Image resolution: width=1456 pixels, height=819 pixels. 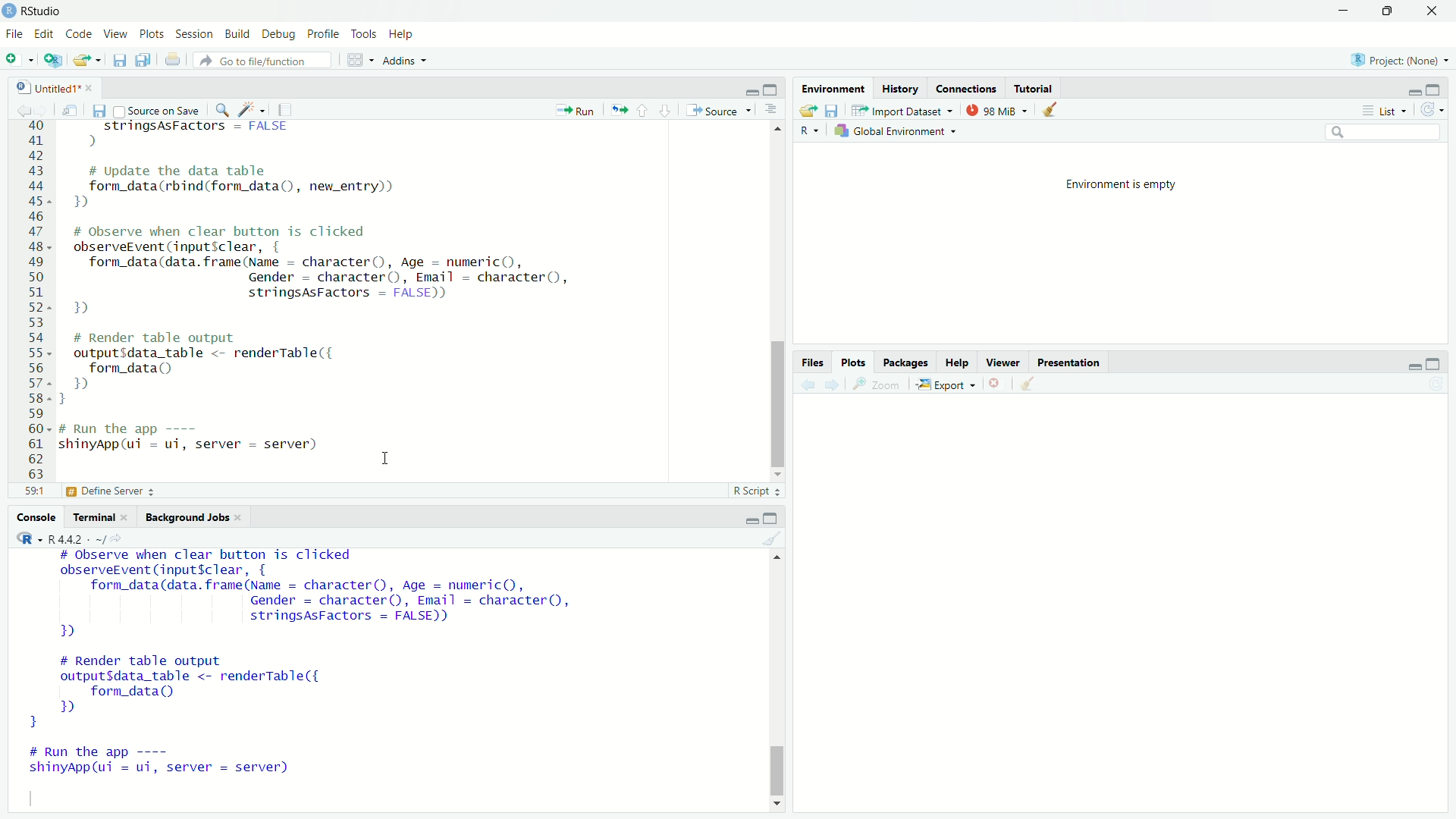 I want to click on print the current file, so click(x=171, y=60).